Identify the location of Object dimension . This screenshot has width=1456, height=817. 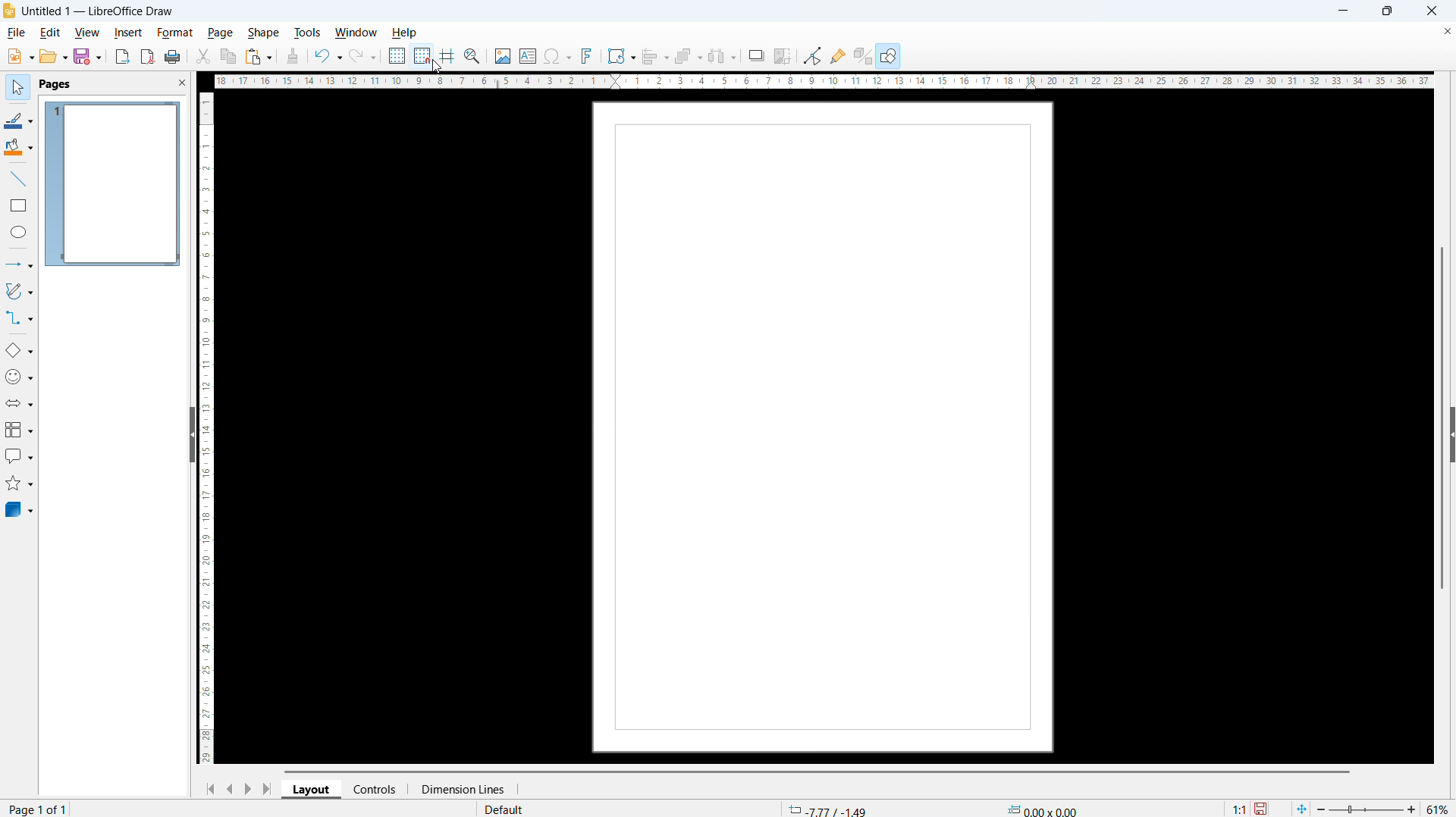
(1045, 808).